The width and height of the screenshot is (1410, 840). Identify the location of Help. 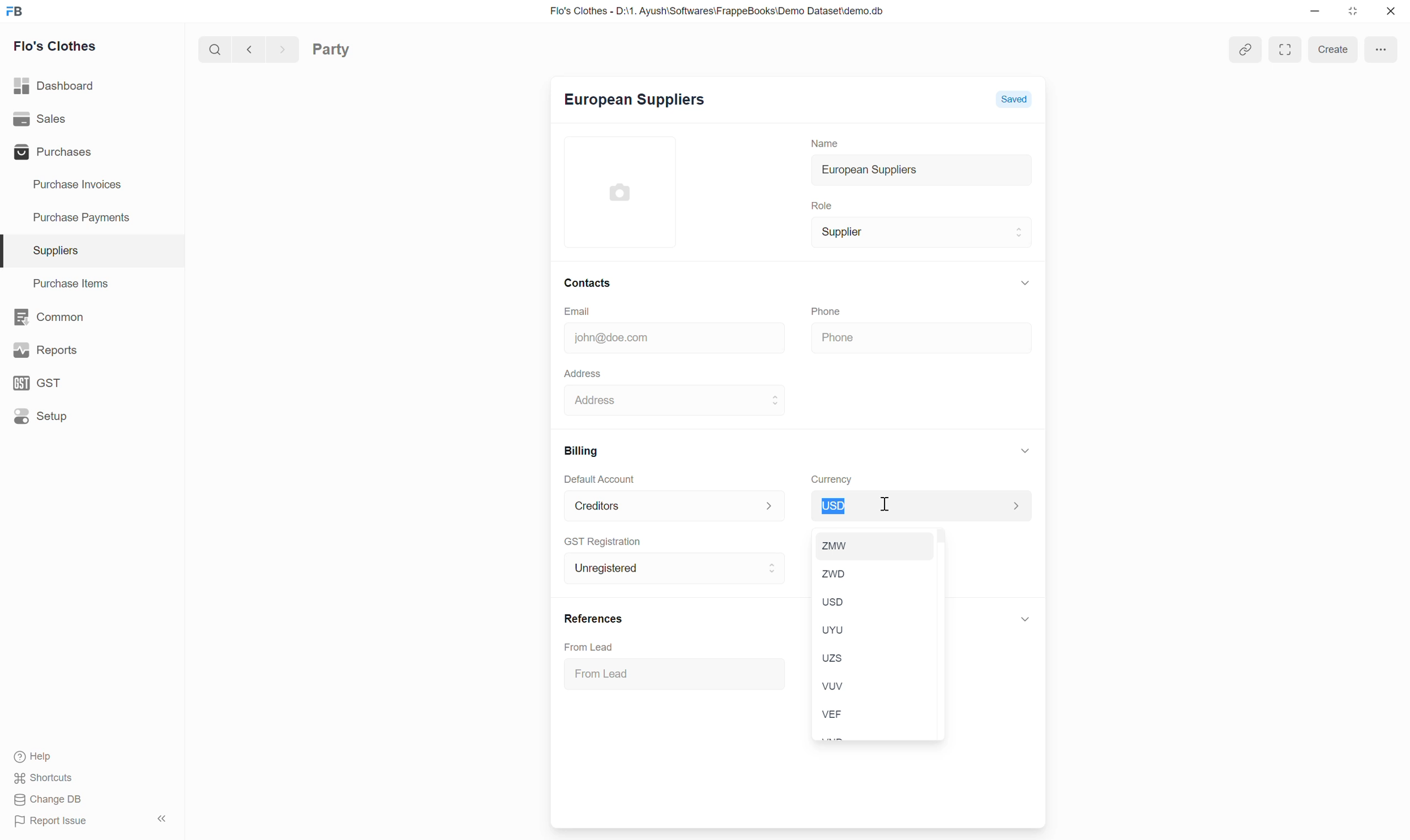
(31, 753).